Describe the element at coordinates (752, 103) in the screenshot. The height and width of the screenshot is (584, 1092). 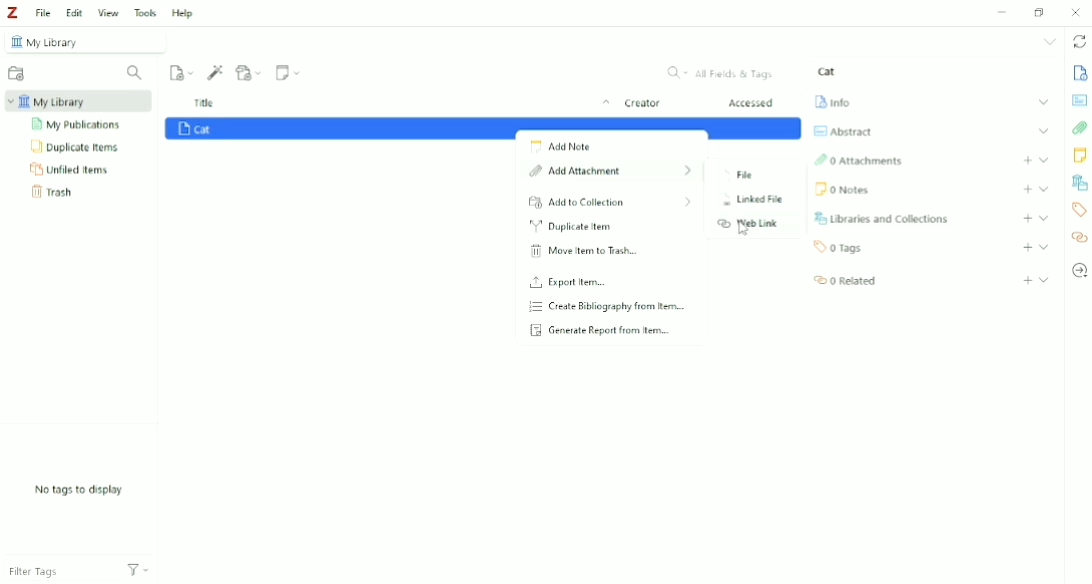
I see `Accessed` at that location.